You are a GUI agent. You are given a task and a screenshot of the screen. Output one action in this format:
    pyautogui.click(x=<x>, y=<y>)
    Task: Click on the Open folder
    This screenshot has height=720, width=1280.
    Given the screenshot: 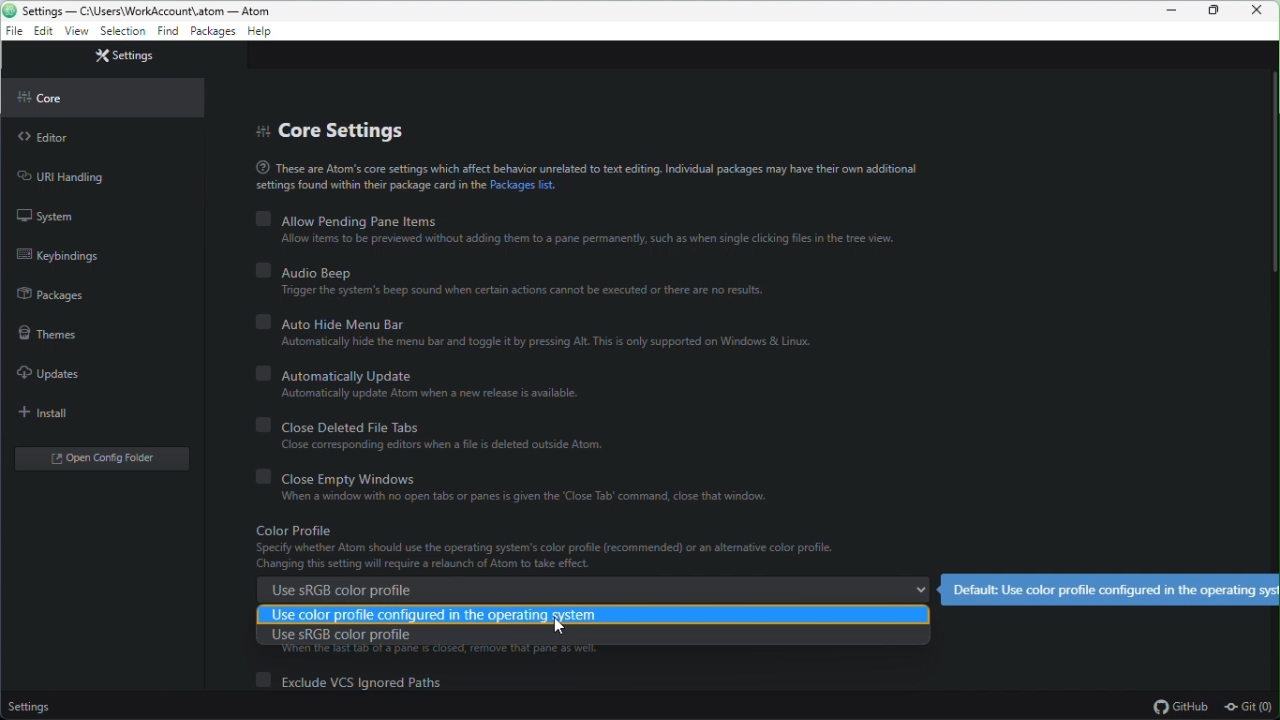 What is the action you would take?
    pyautogui.click(x=97, y=460)
    